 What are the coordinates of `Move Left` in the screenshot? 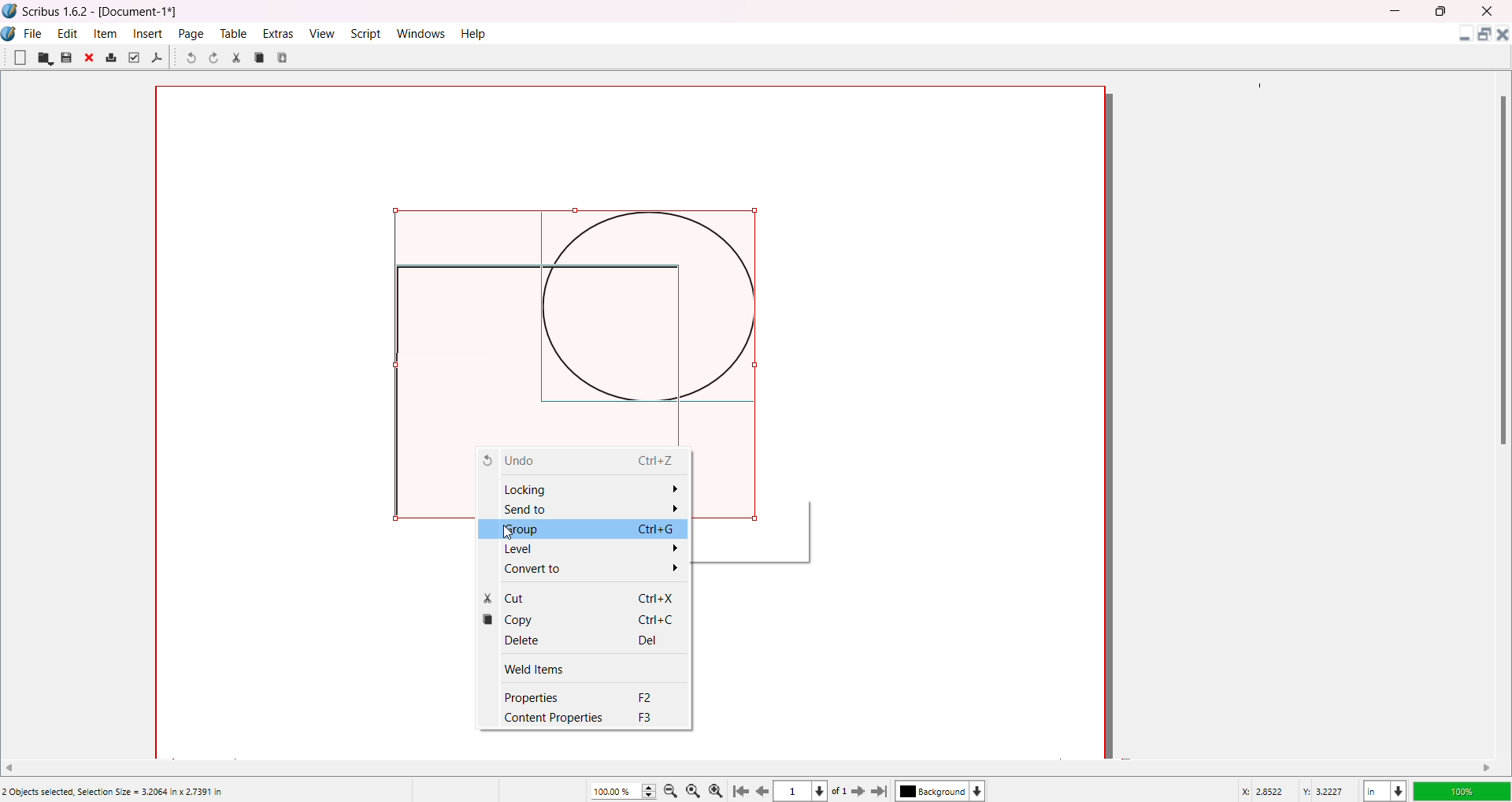 It's located at (15, 766).